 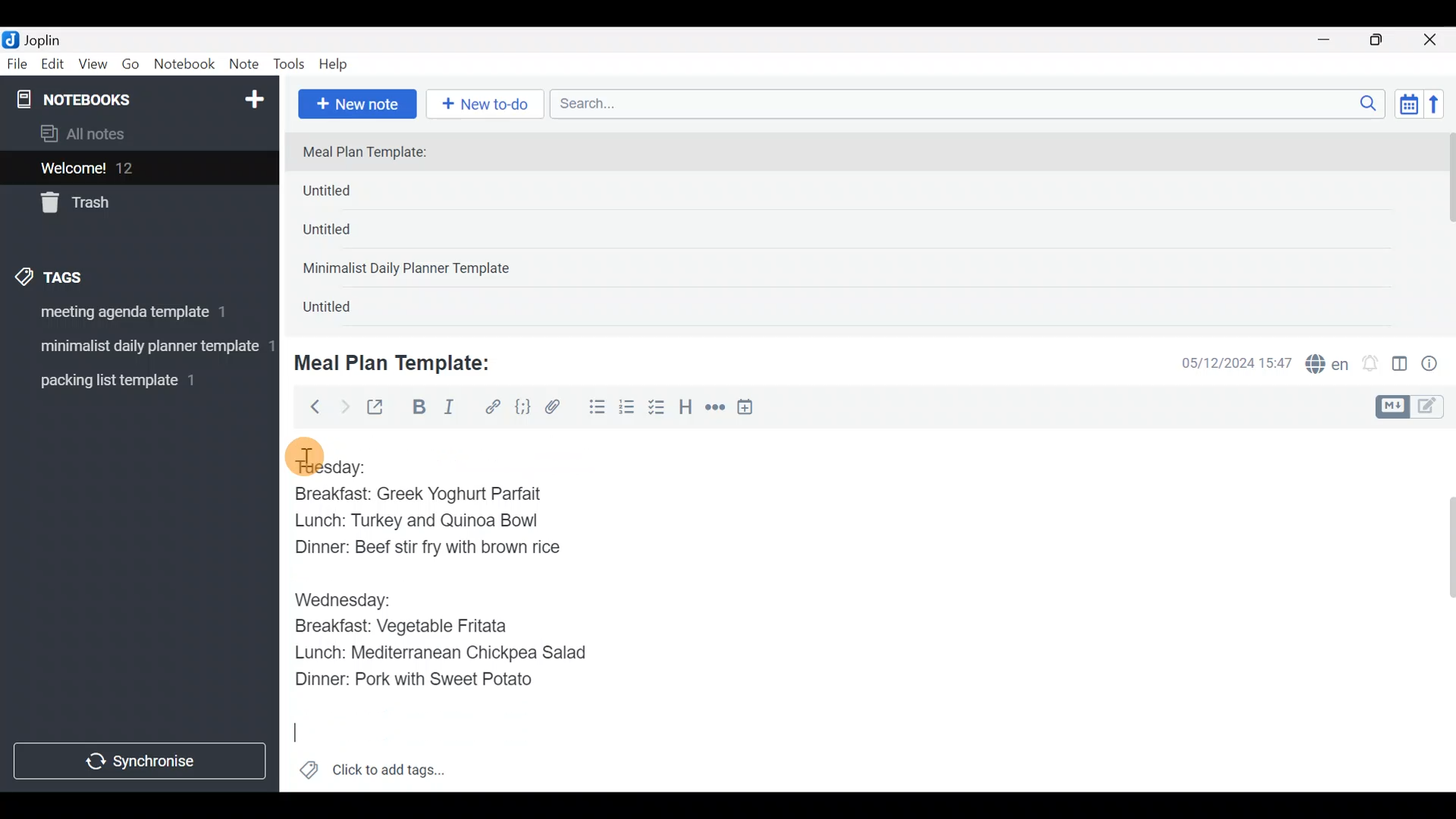 I want to click on Toggle sort order, so click(x=1408, y=105).